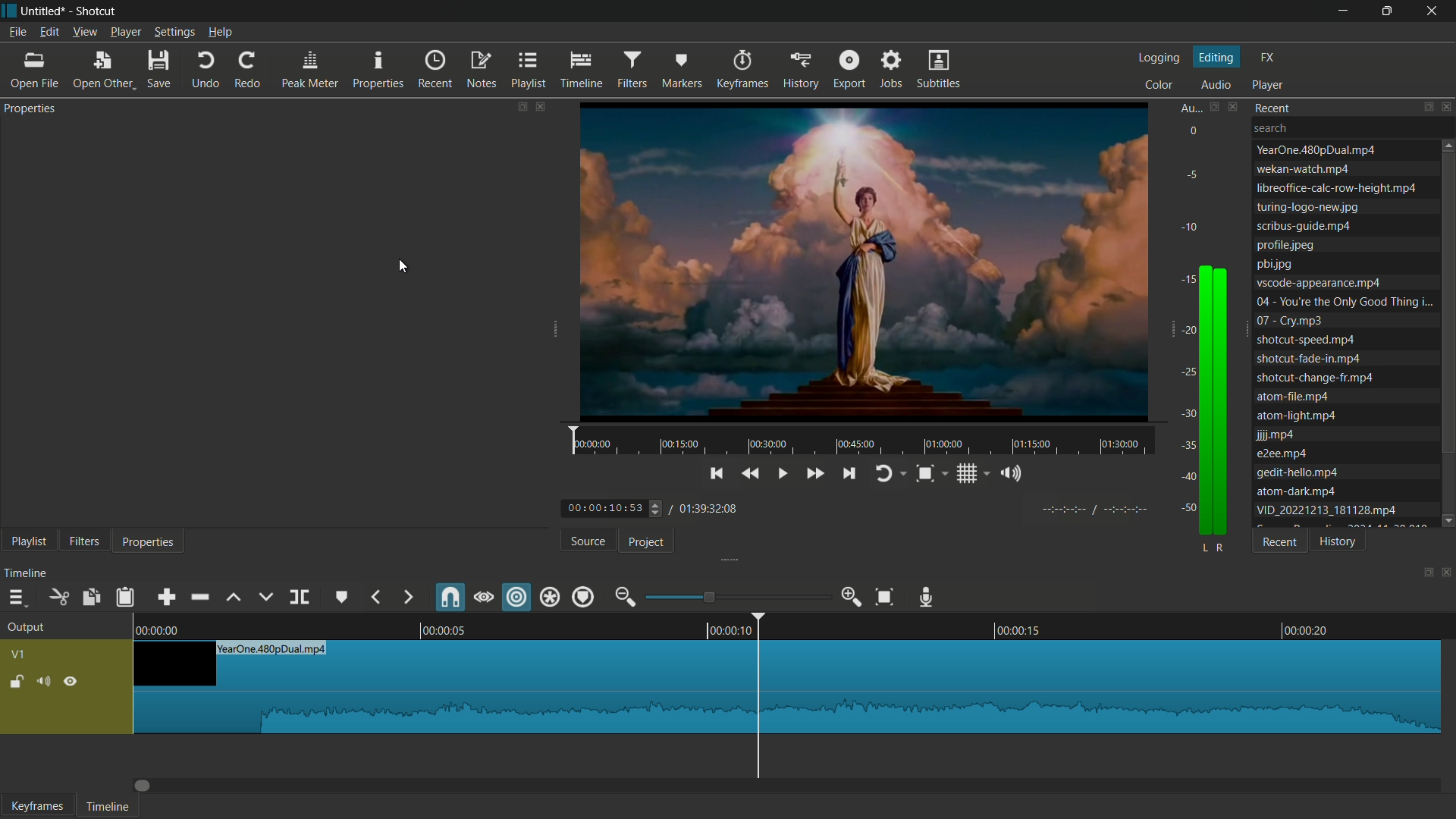 This screenshot has height=819, width=1456. What do you see at coordinates (1182, 303) in the screenshot?
I see `scale` at bounding box center [1182, 303].